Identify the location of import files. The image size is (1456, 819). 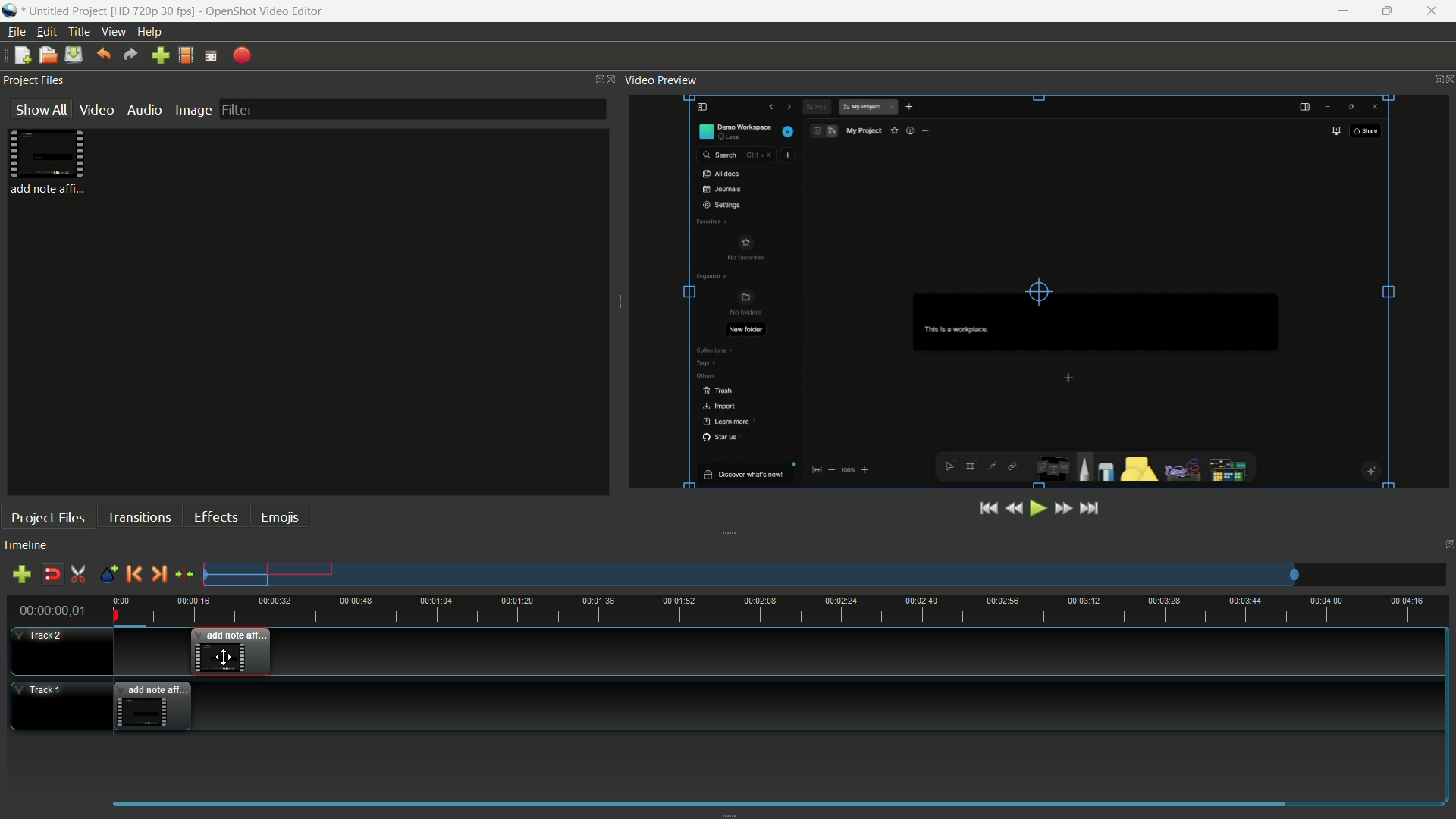
(159, 56).